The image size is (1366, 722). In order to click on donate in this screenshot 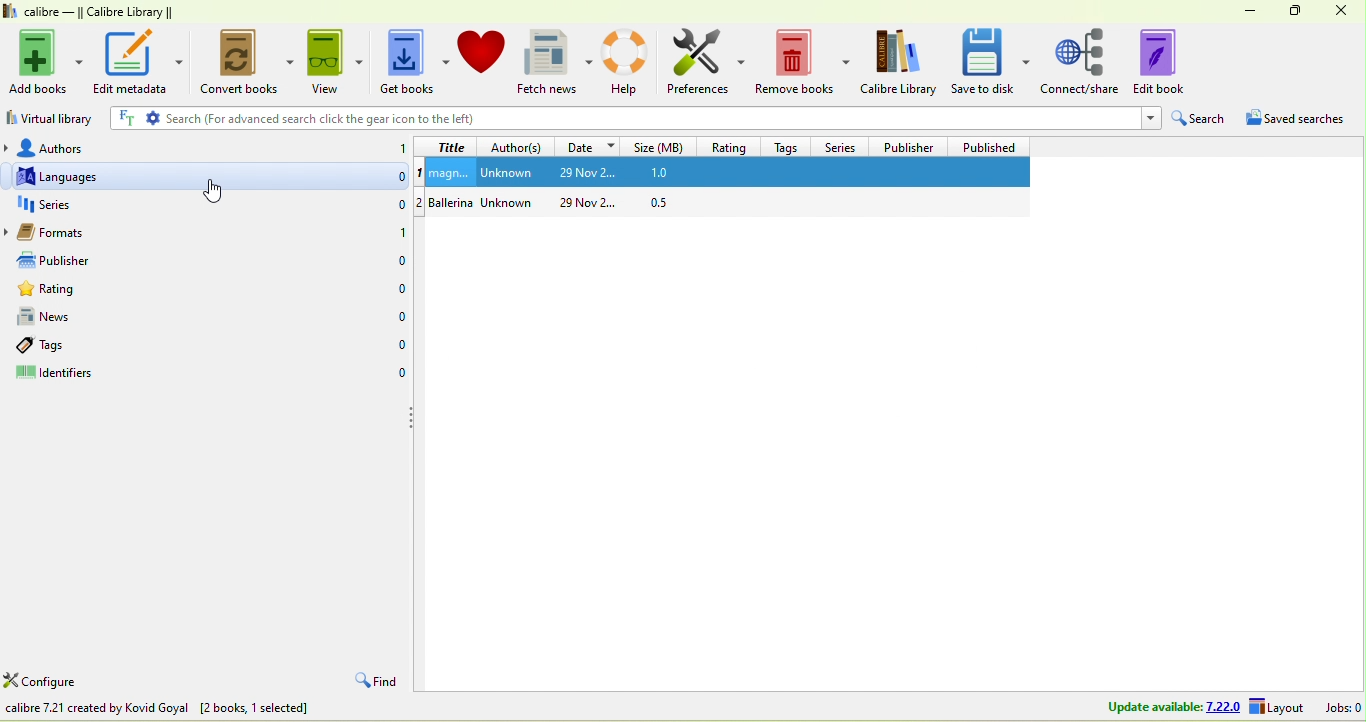, I will do `click(484, 60)`.